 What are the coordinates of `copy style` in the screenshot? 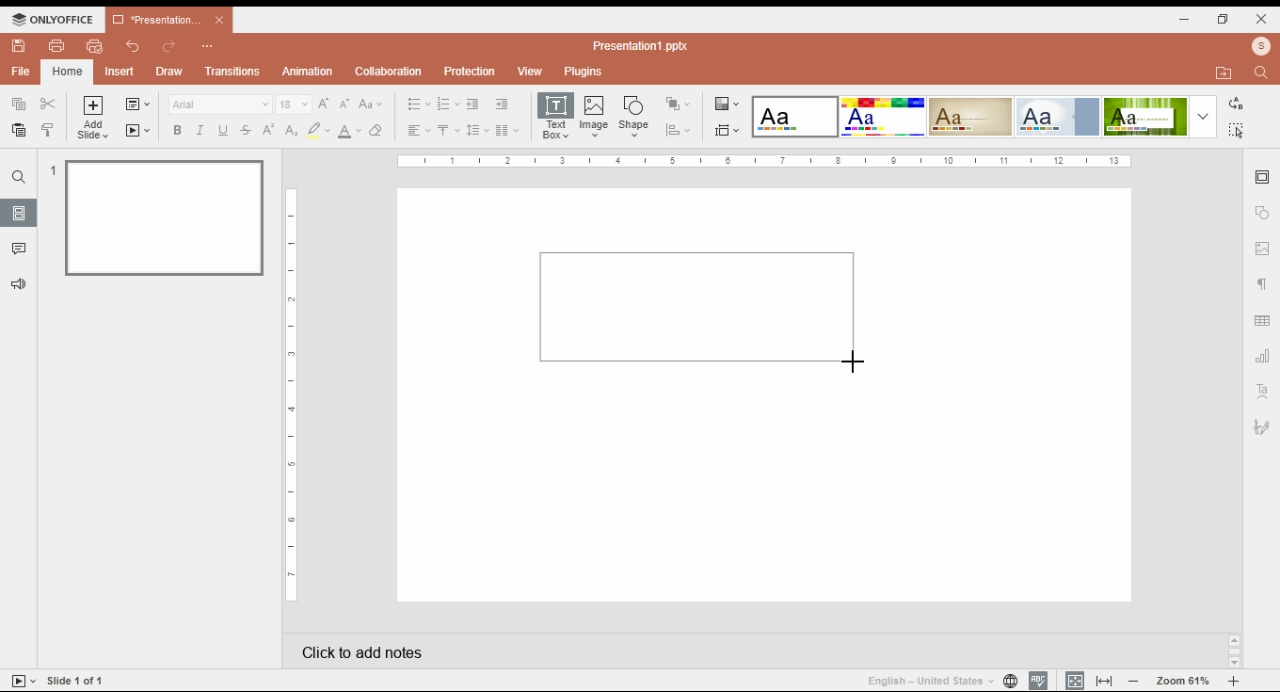 It's located at (47, 129).